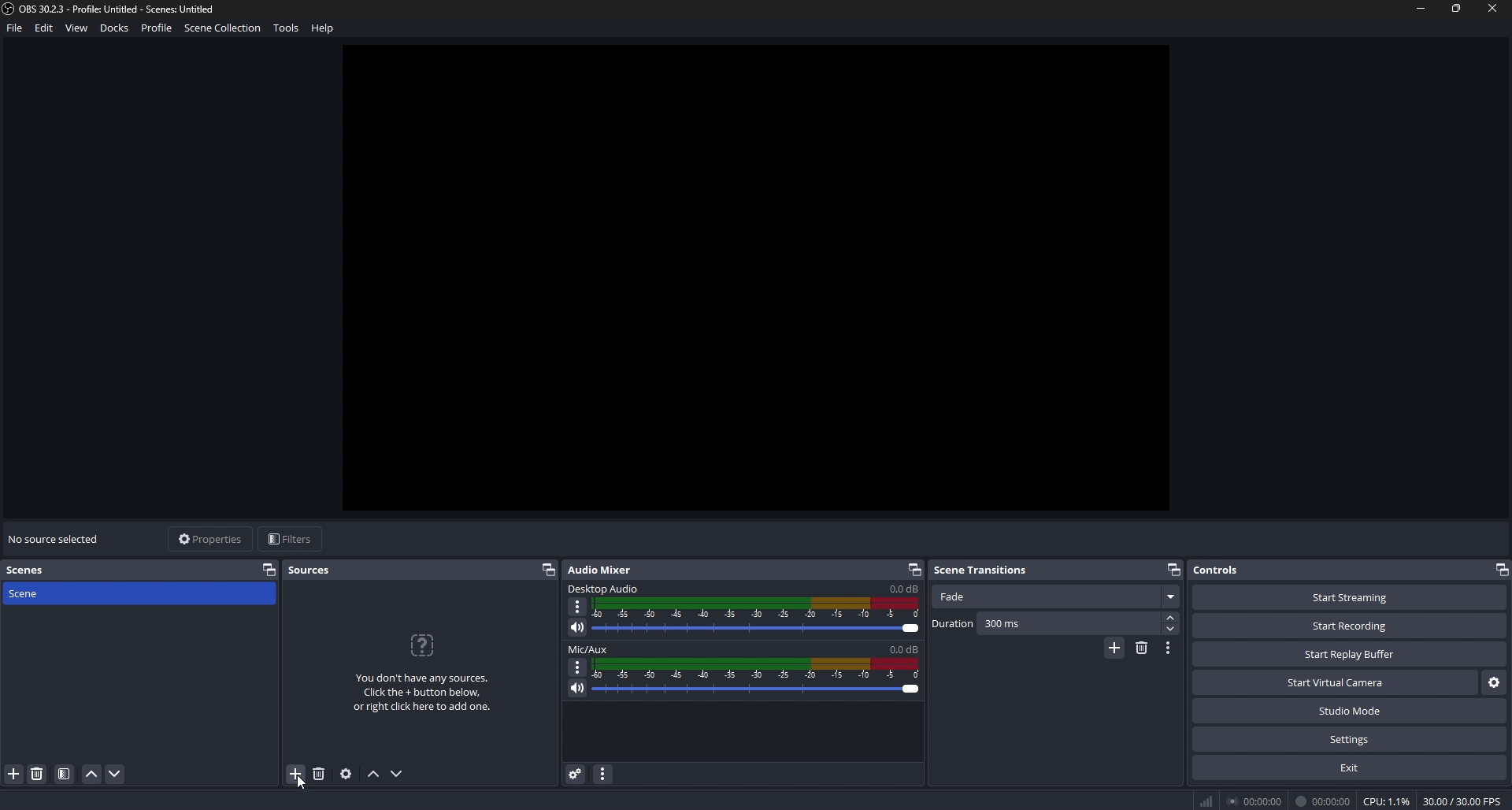  I want to click on view, so click(78, 28).